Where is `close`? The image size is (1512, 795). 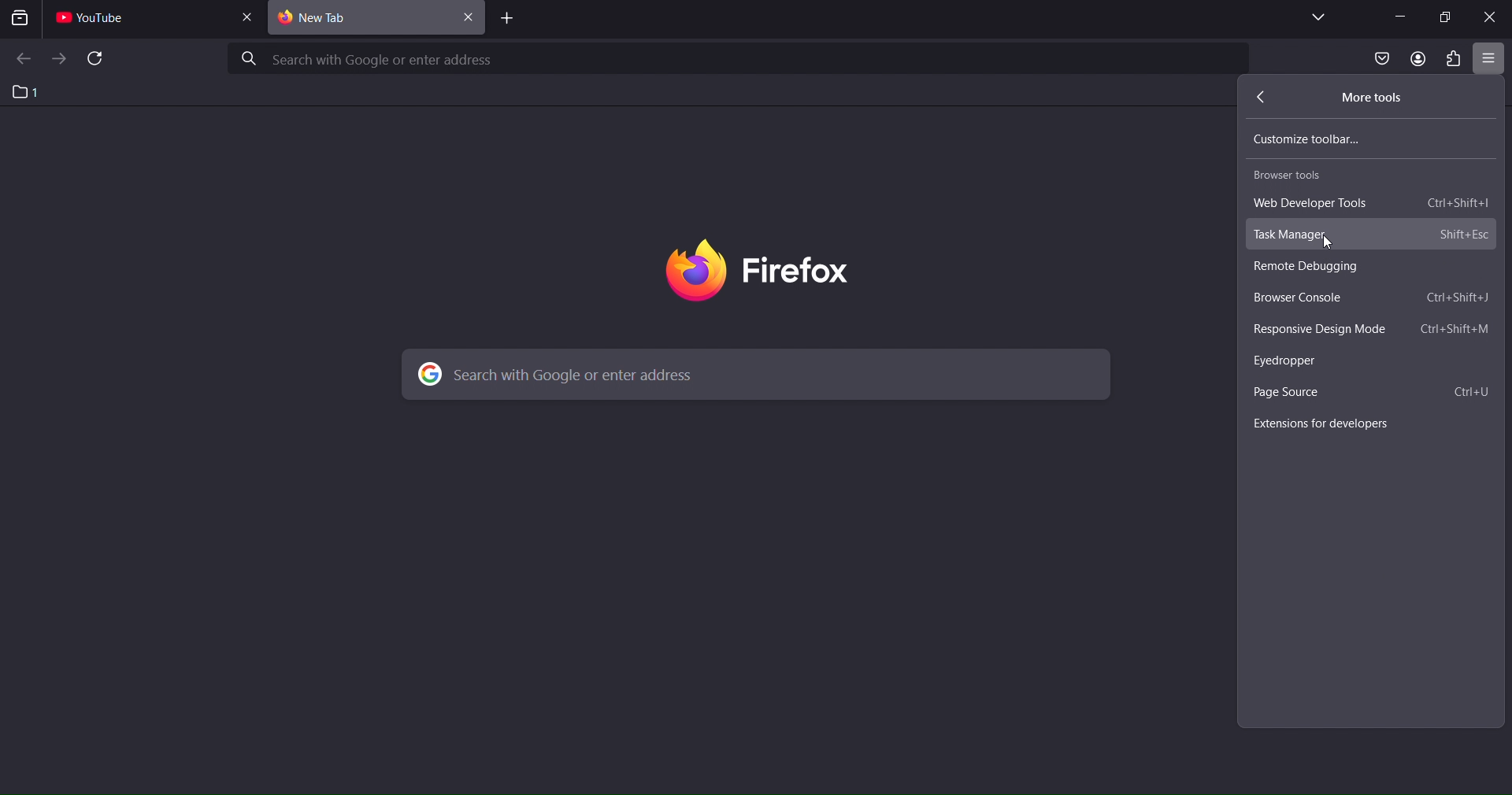
close is located at coordinates (470, 20).